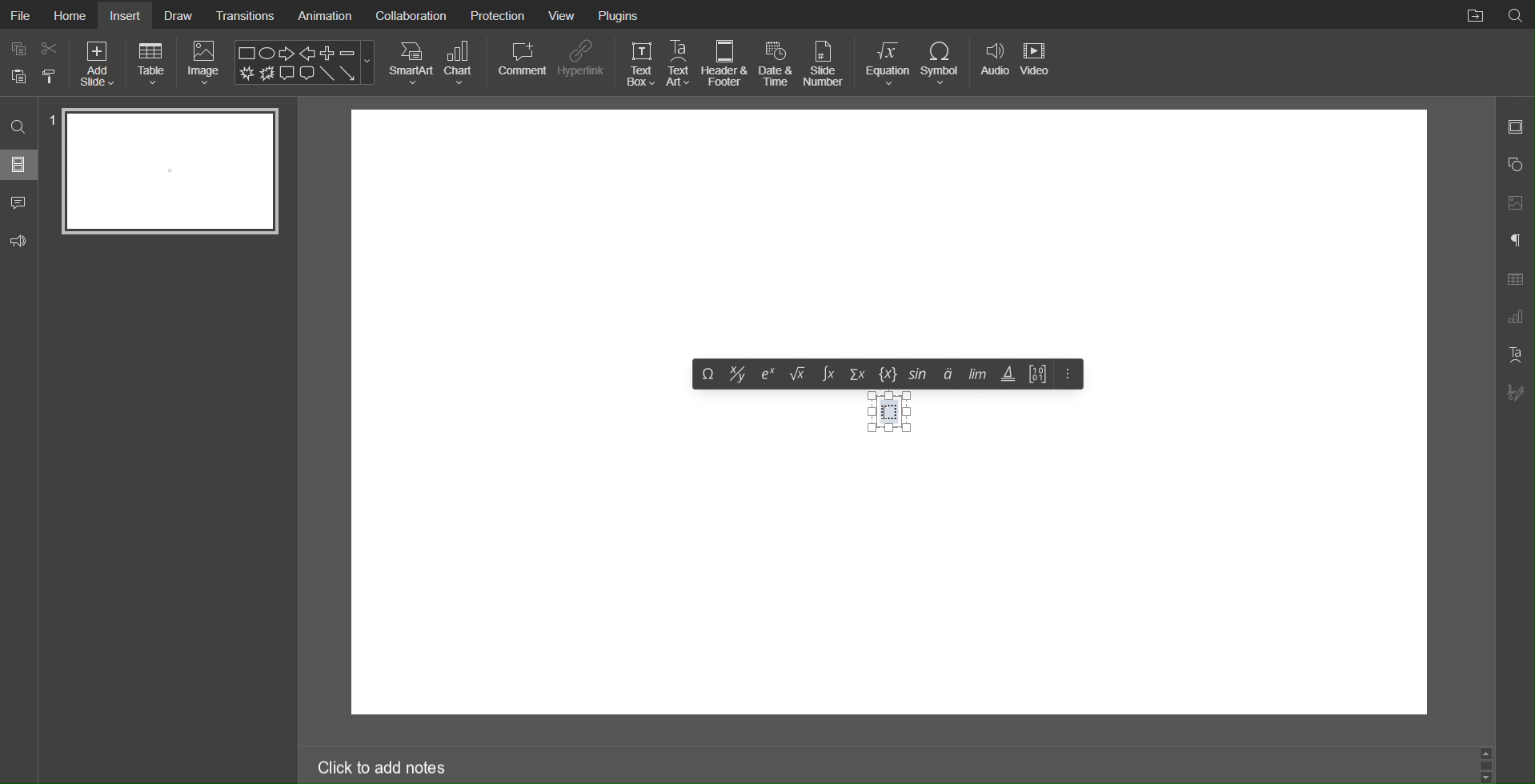 This screenshot has height=784, width=1535. Describe the element at coordinates (21, 242) in the screenshot. I see `Feedback and Support` at that location.